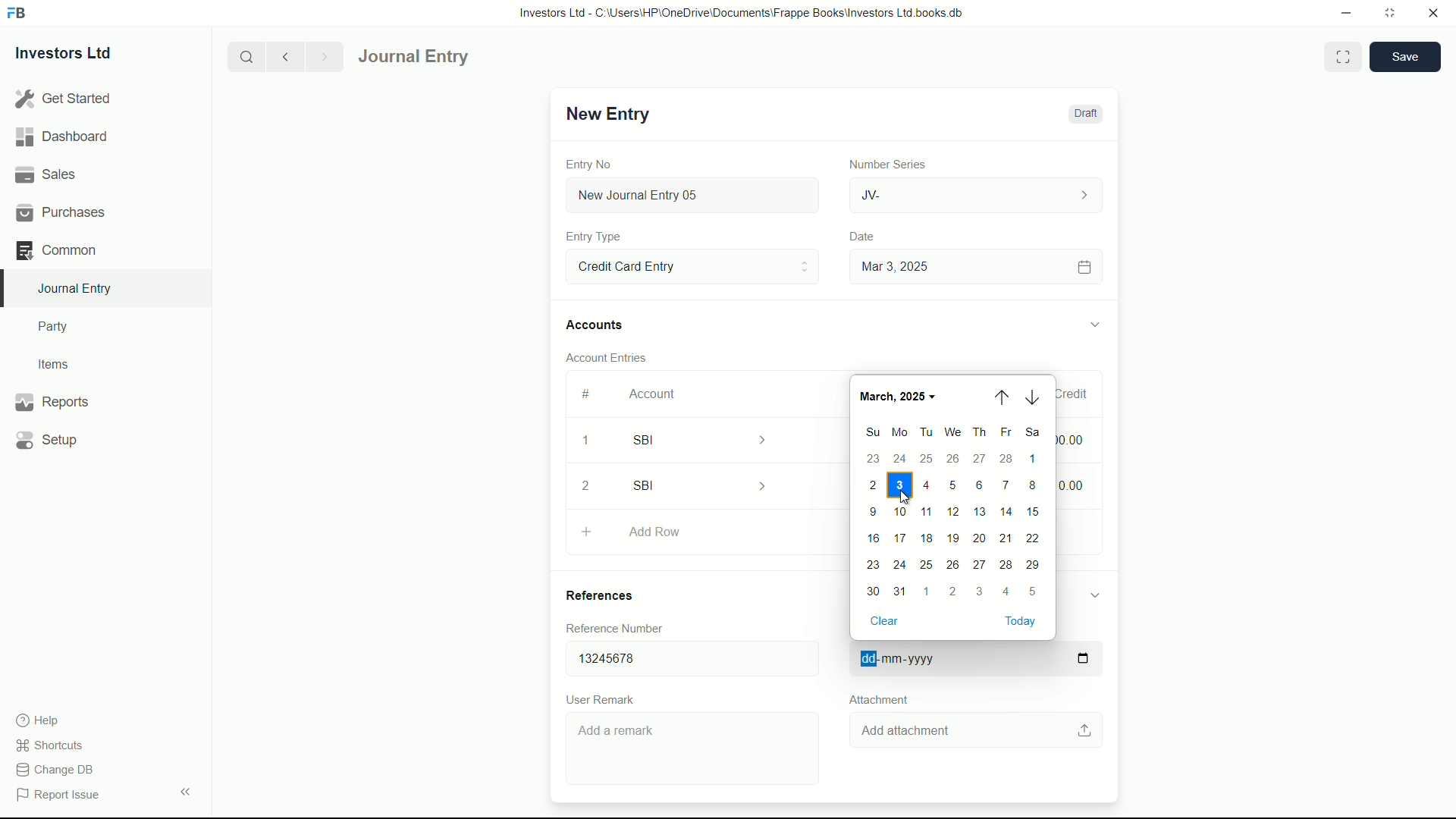 The width and height of the screenshot is (1456, 819). I want to click on Entry No, so click(591, 162).